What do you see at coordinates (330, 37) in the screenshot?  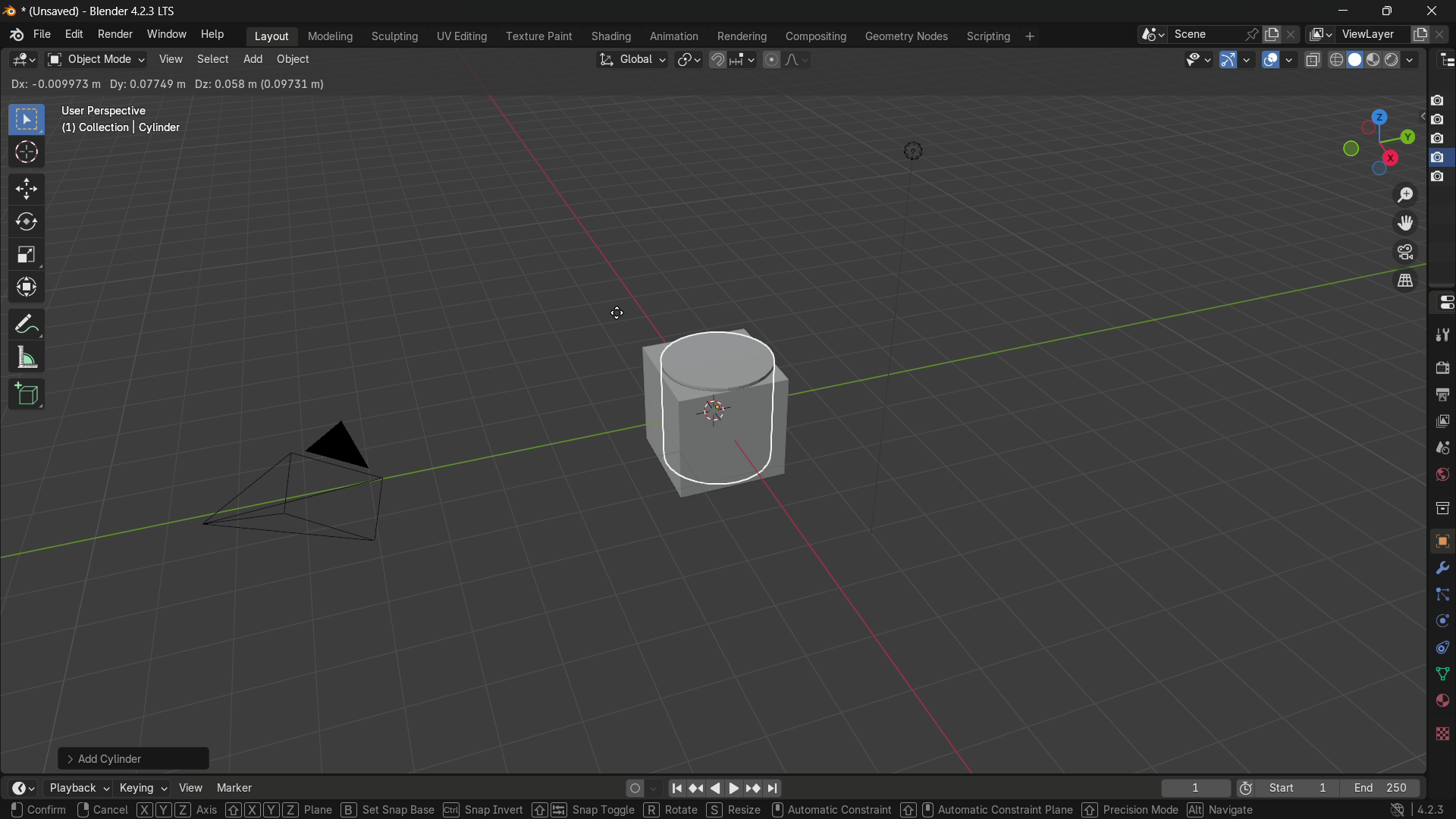 I see `modeling menu` at bounding box center [330, 37].